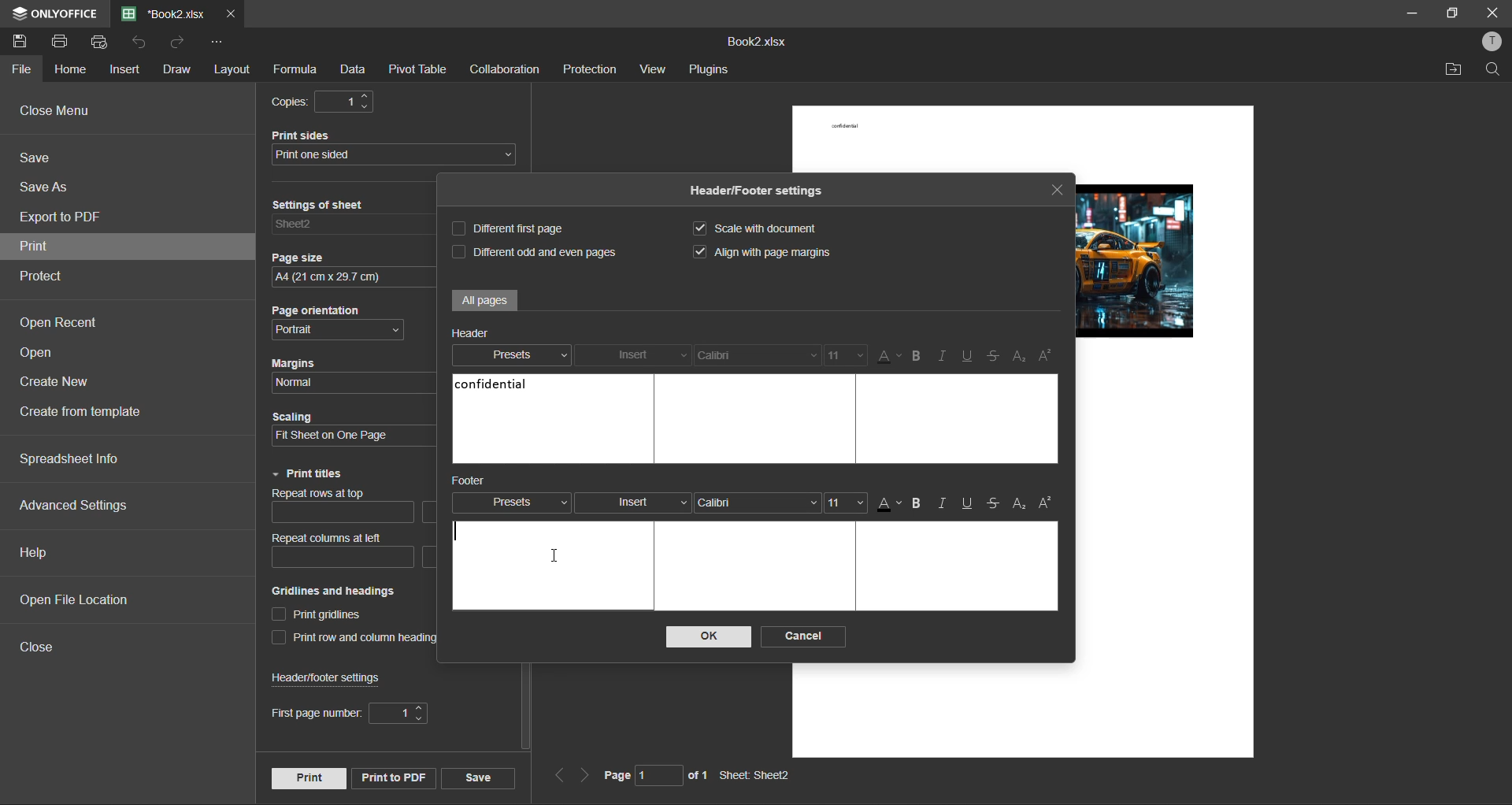 The height and width of the screenshot is (805, 1512). What do you see at coordinates (352, 227) in the screenshot?
I see `settings of sheet` at bounding box center [352, 227].